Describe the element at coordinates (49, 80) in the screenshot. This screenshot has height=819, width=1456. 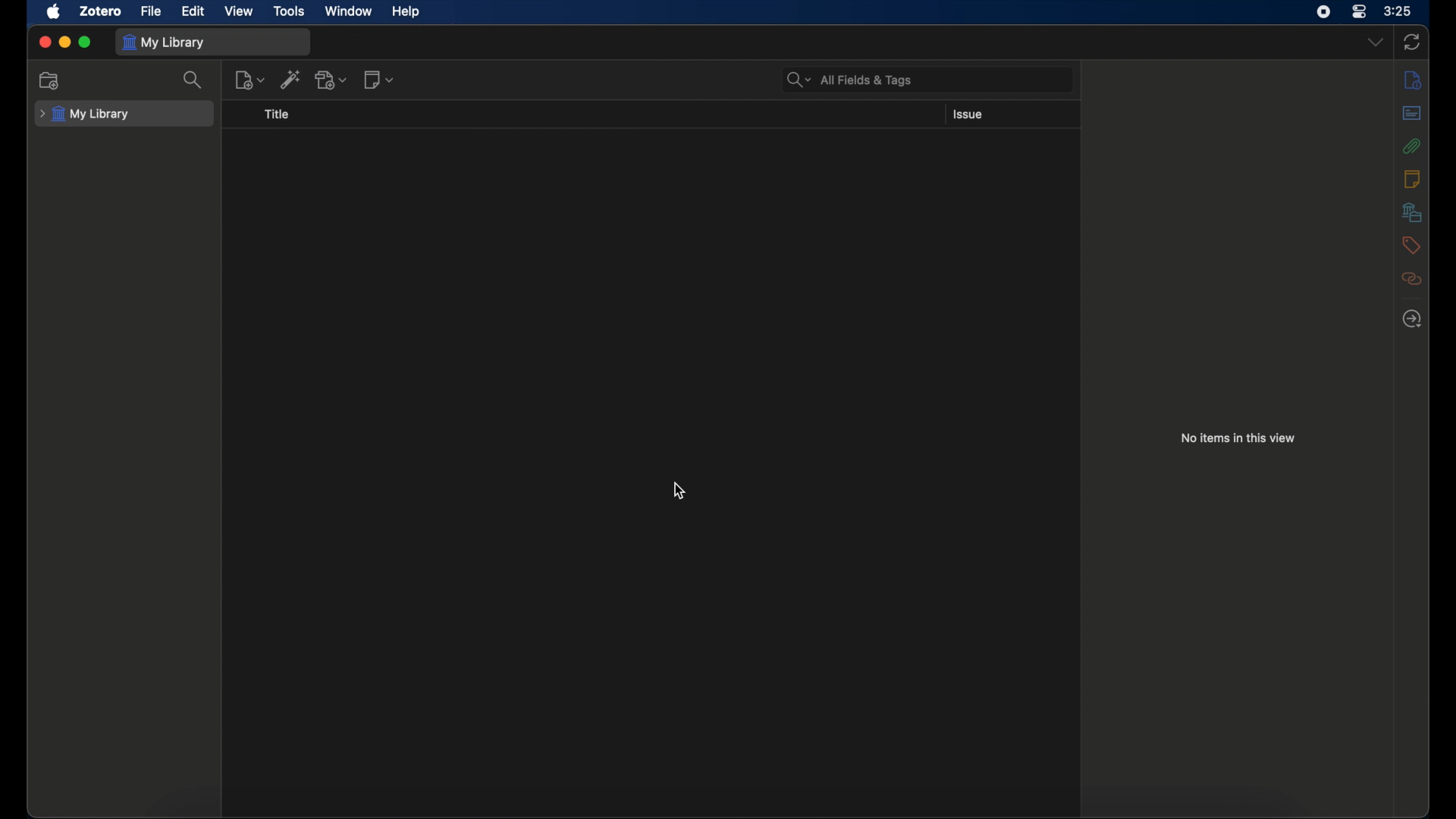
I see `new collections` at that location.